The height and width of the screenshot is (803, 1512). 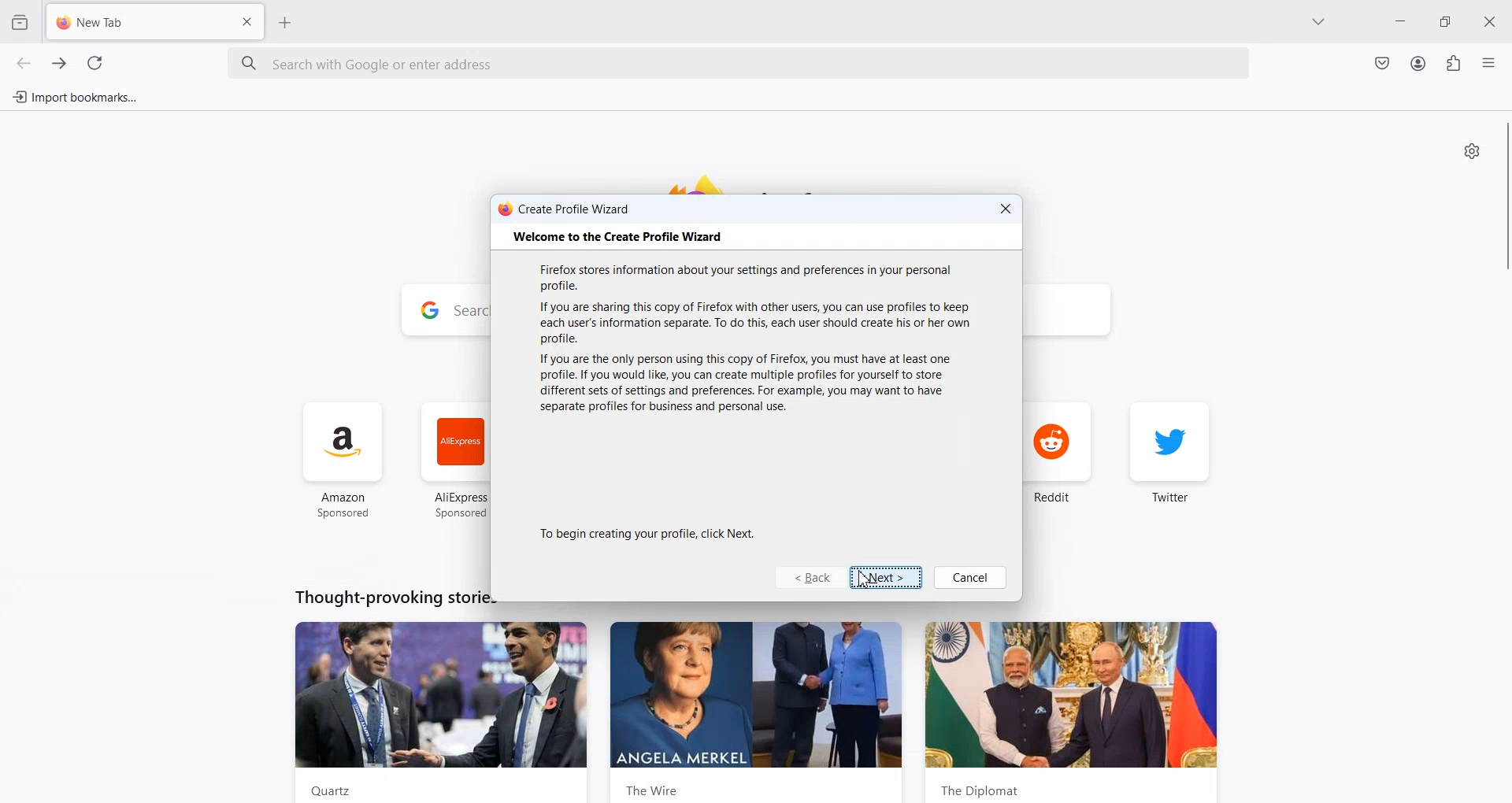 What do you see at coordinates (1494, 20) in the screenshot?
I see `Close` at bounding box center [1494, 20].